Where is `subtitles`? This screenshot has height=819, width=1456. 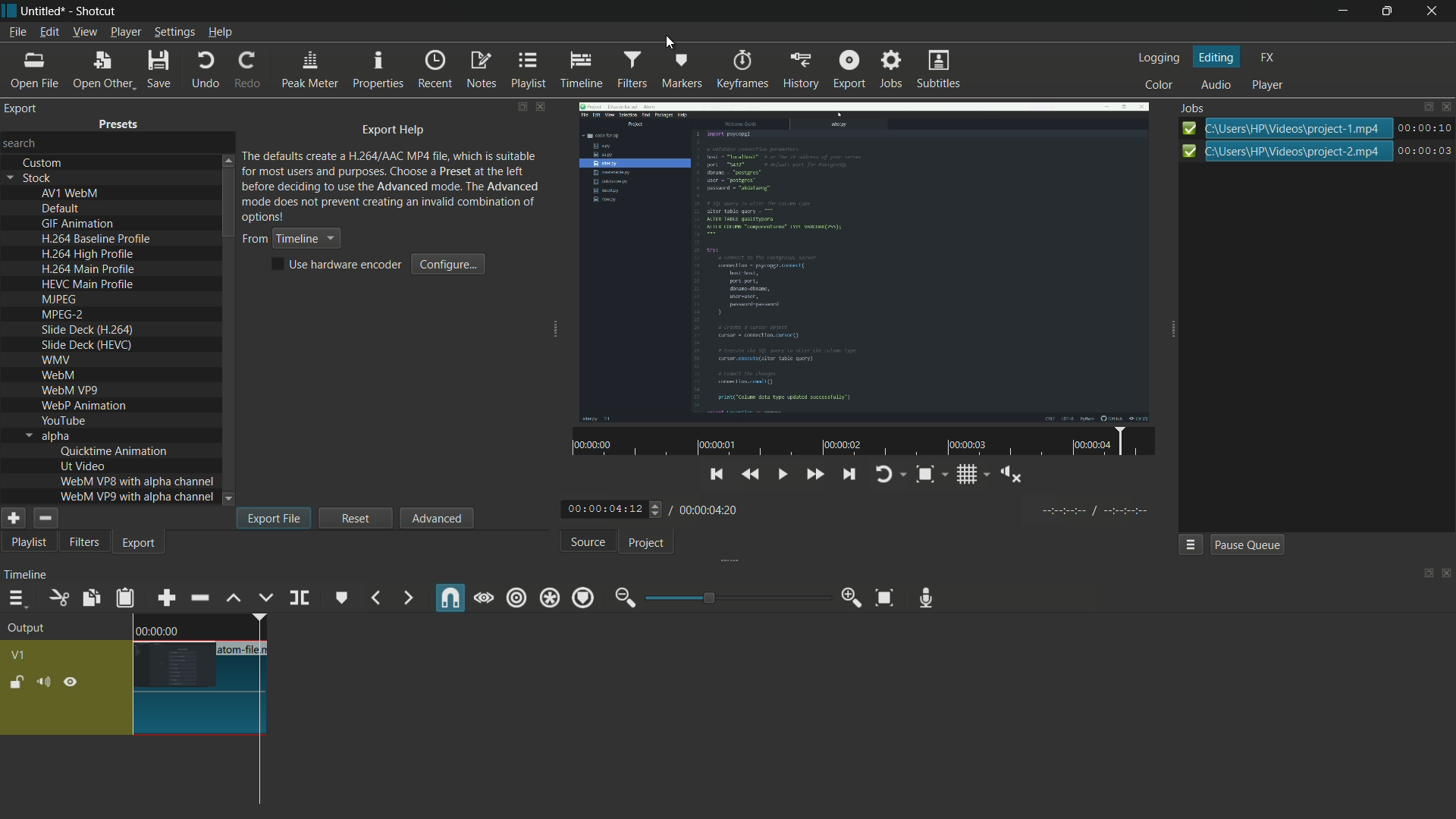 subtitles is located at coordinates (937, 68).